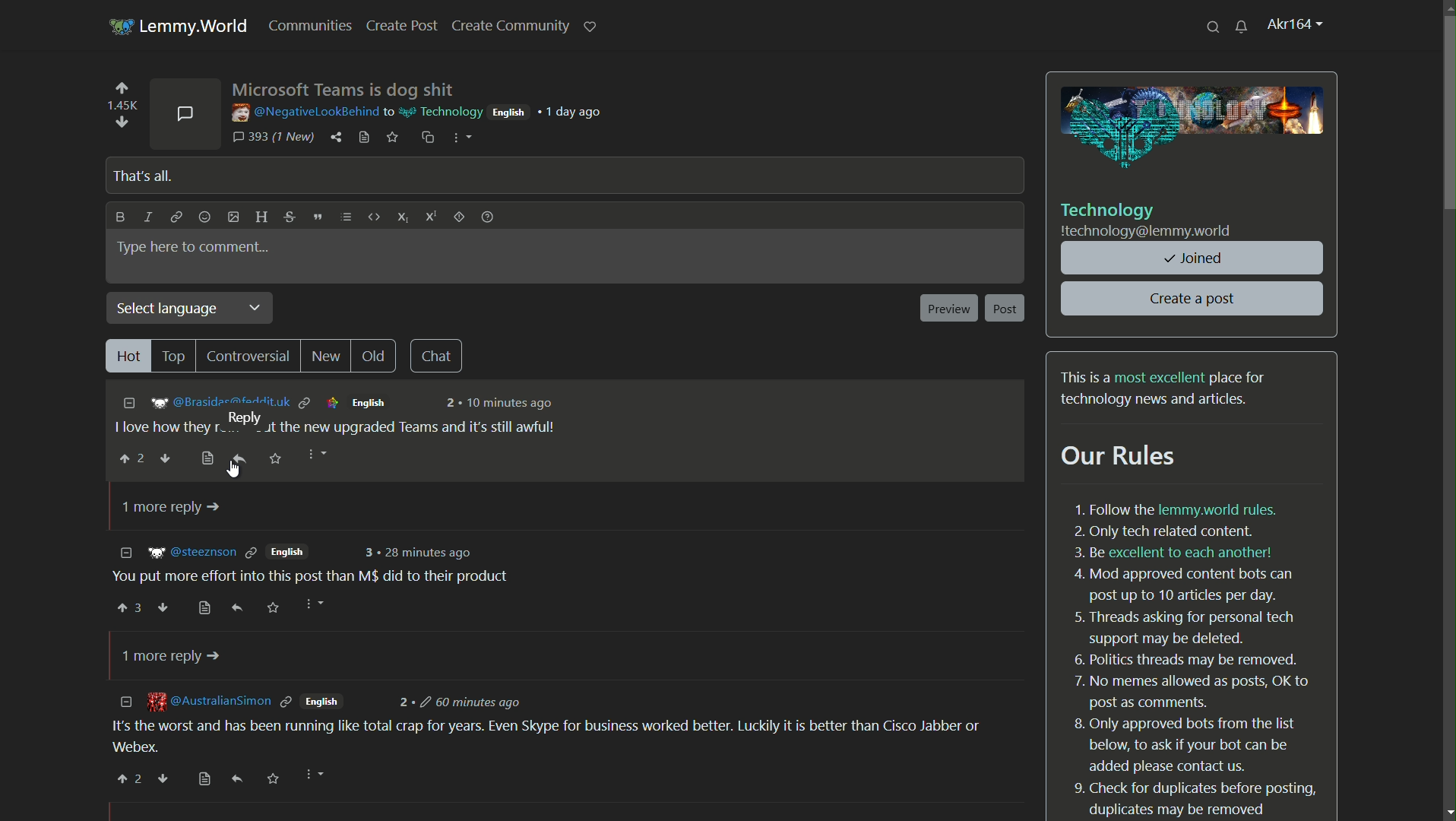 The image size is (1456, 821). I want to click on italic, so click(150, 217).